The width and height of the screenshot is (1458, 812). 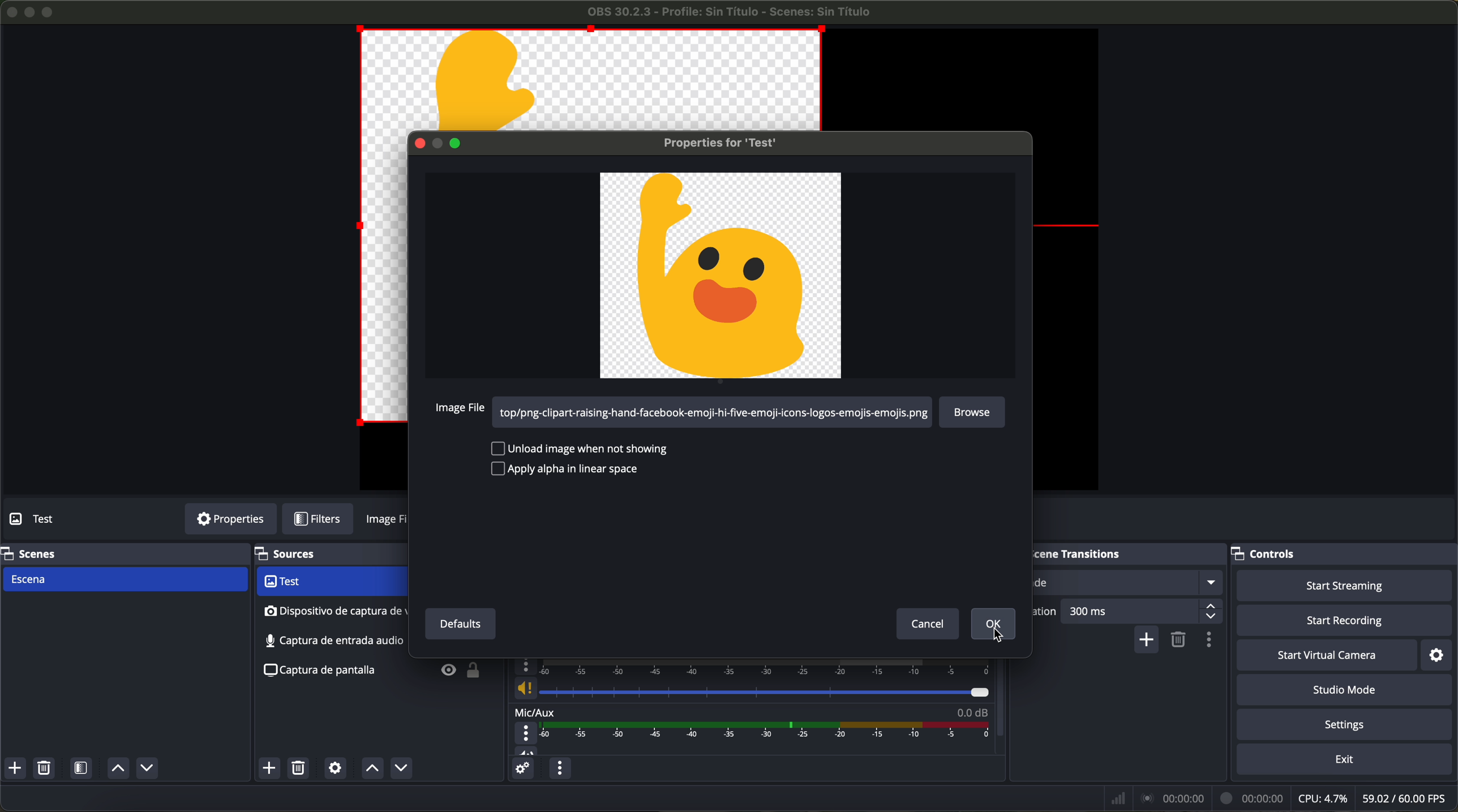 I want to click on transition properties, so click(x=1212, y=641).